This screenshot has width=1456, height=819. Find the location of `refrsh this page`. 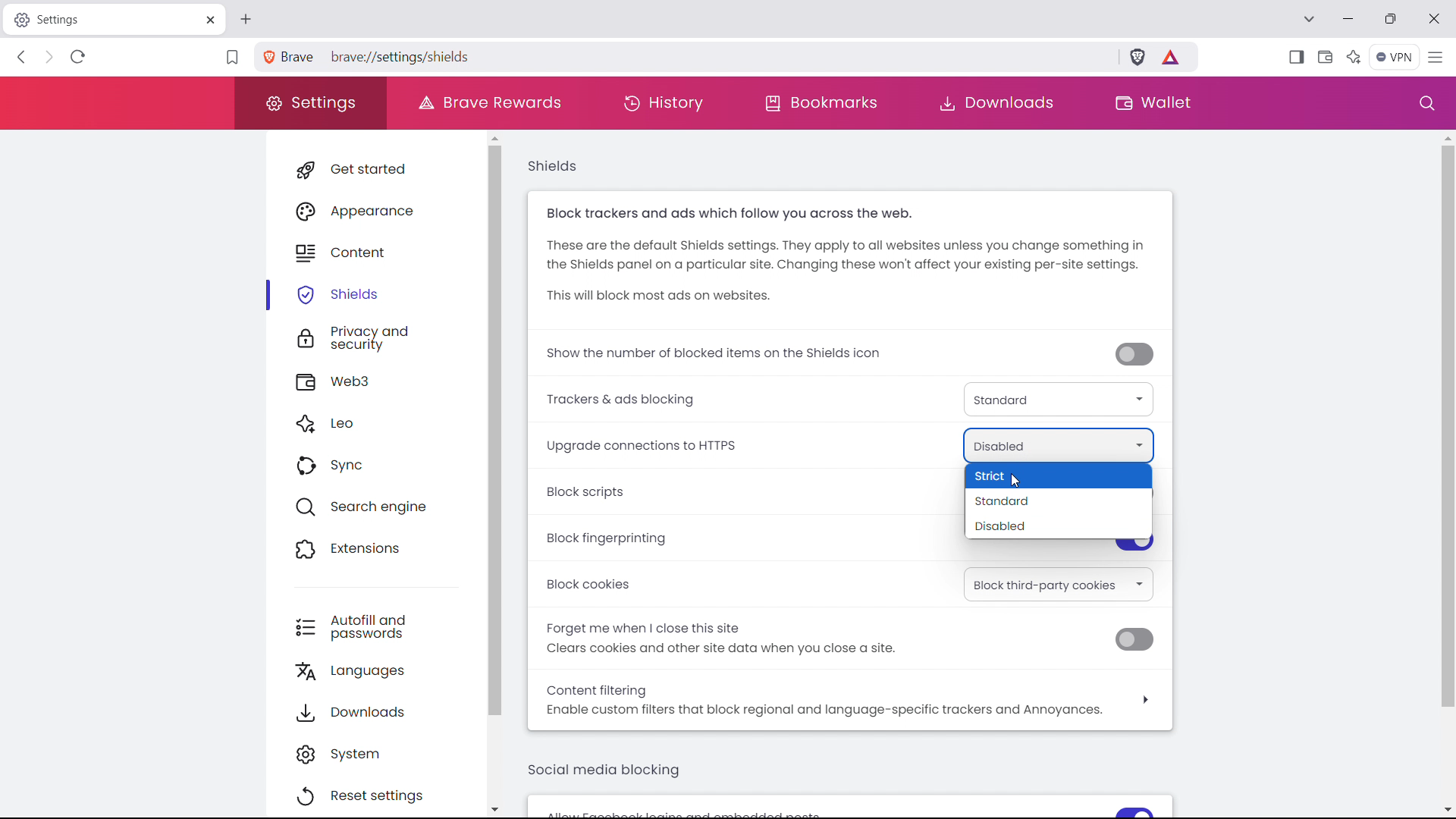

refrsh this page is located at coordinates (77, 57).